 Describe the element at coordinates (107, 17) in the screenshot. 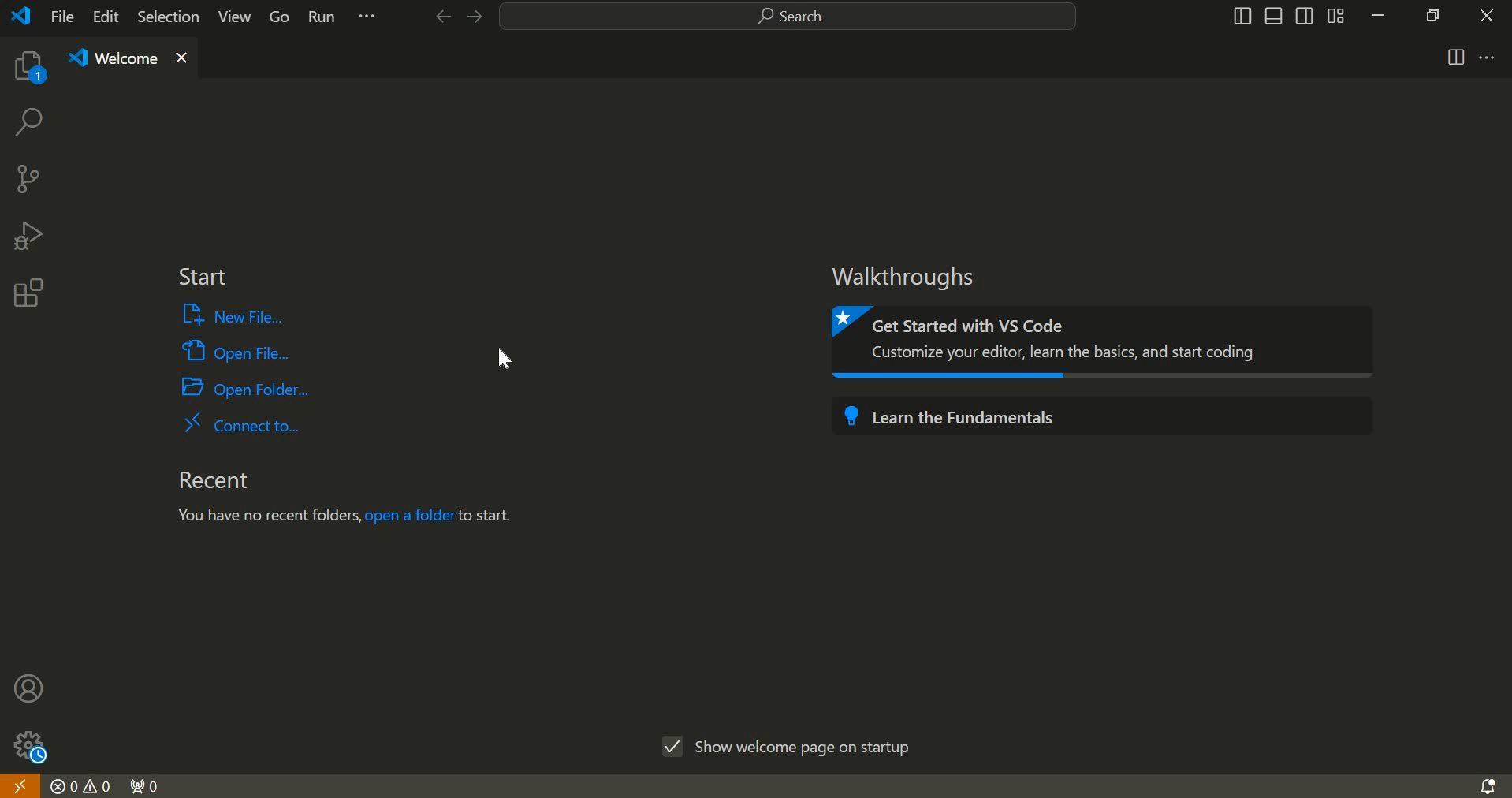

I see `edit` at that location.